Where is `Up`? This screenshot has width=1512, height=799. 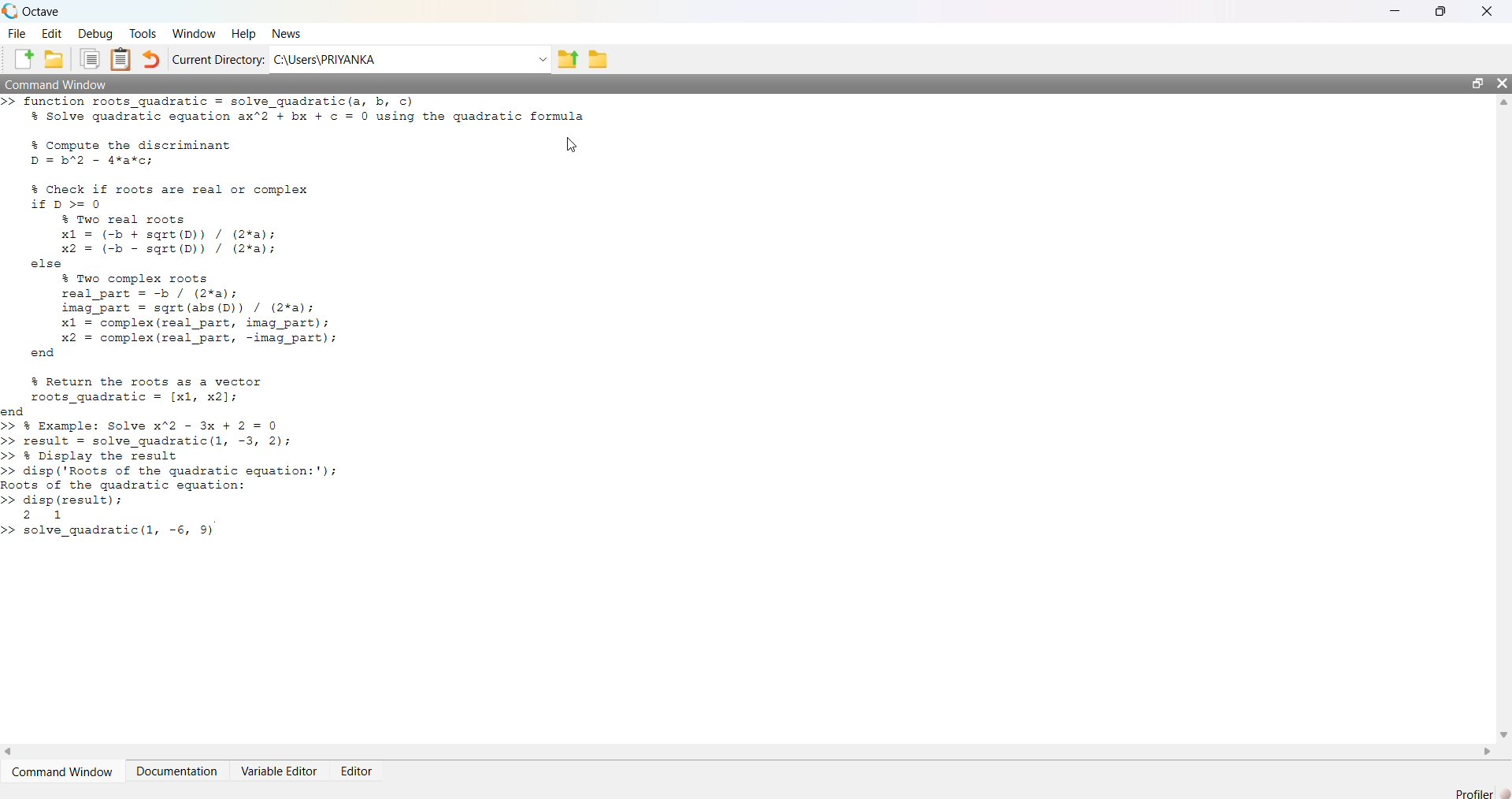
Up is located at coordinates (1503, 104).